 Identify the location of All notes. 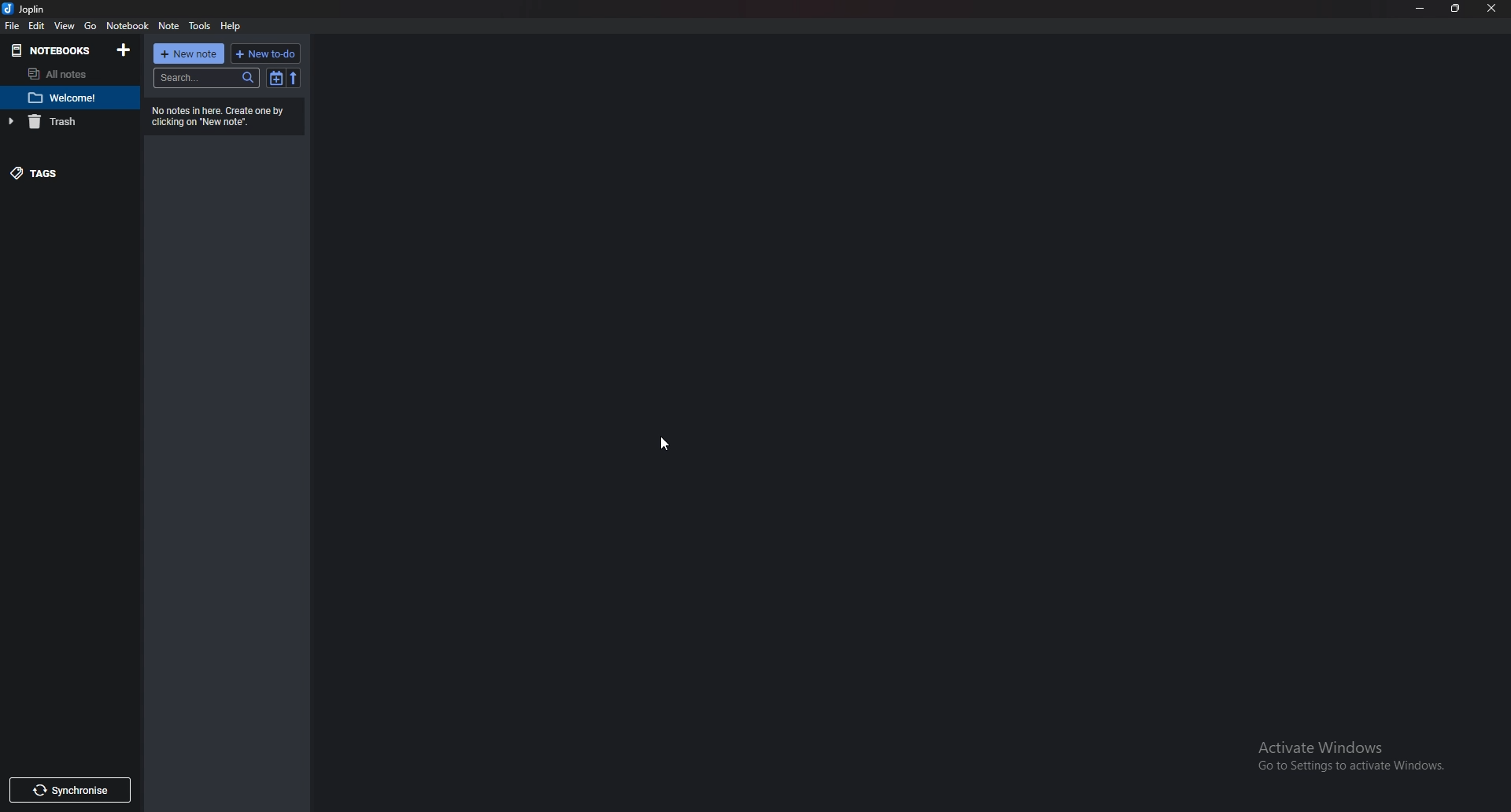
(64, 74).